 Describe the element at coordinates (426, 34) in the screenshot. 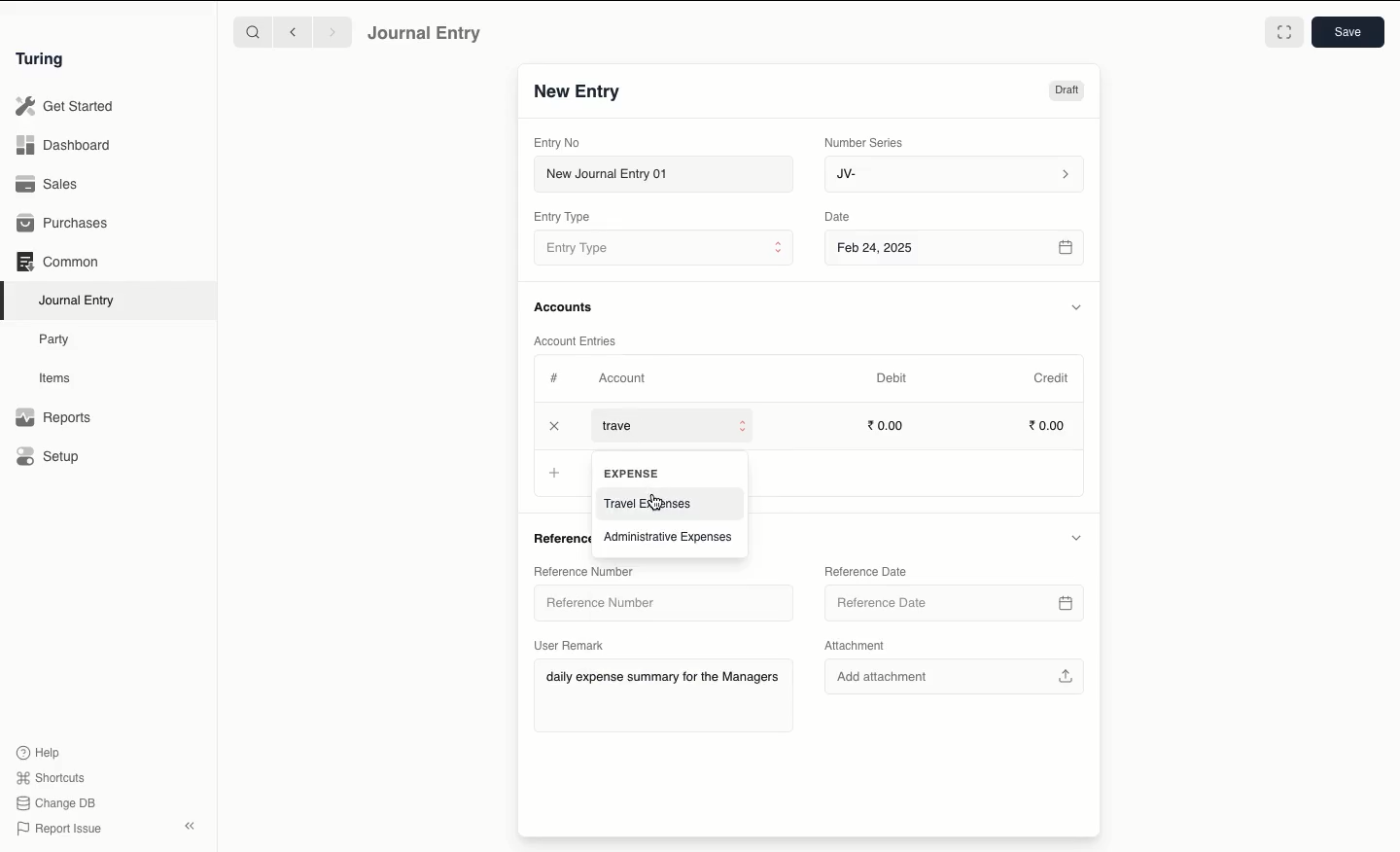

I see `Journal Entry` at that location.